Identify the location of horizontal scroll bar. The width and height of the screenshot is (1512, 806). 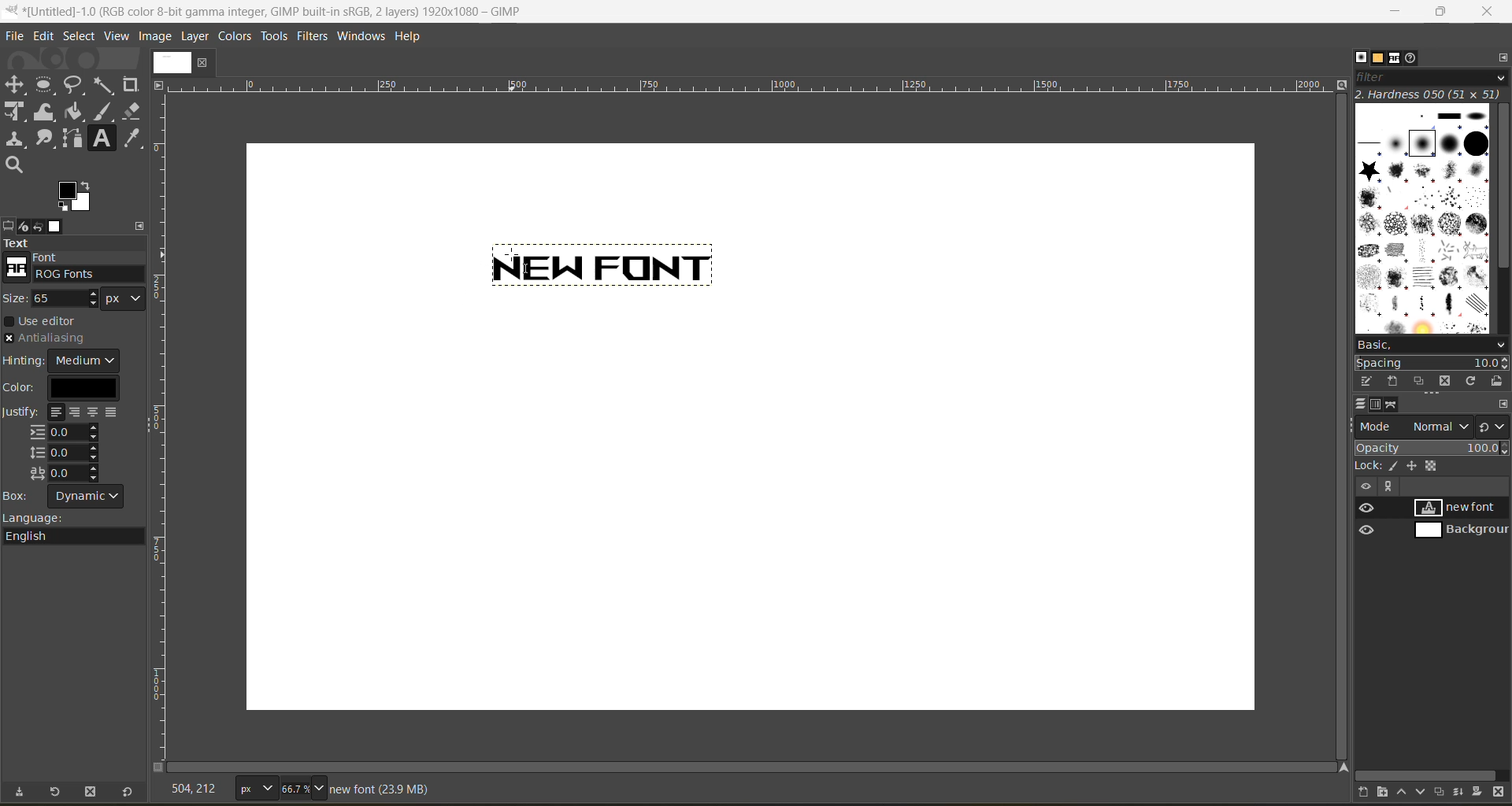
(759, 767).